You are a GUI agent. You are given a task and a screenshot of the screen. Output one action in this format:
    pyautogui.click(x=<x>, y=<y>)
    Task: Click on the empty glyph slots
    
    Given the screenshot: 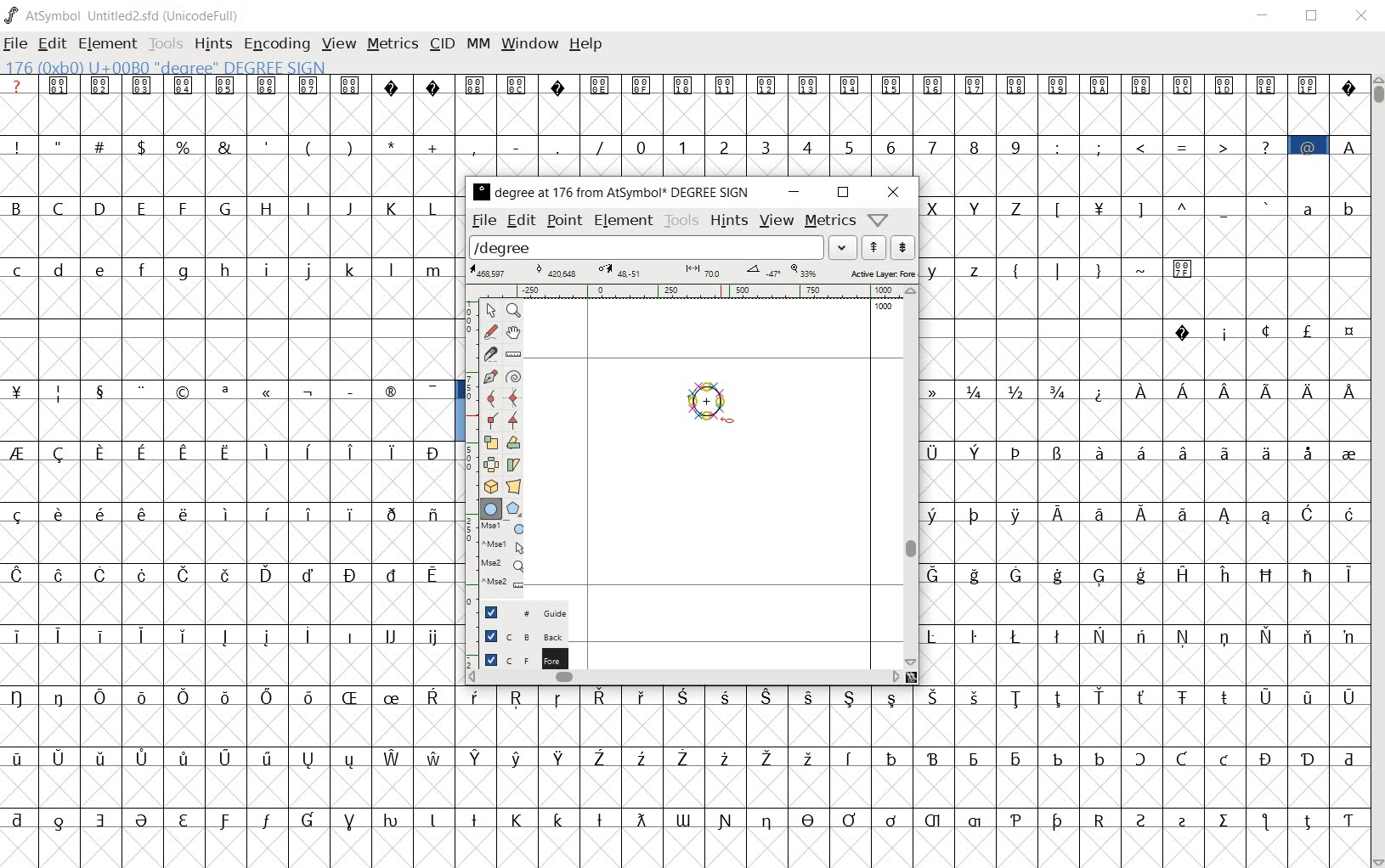 What is the action you would take?
    pyautogui.click(x=230, y=421)
    